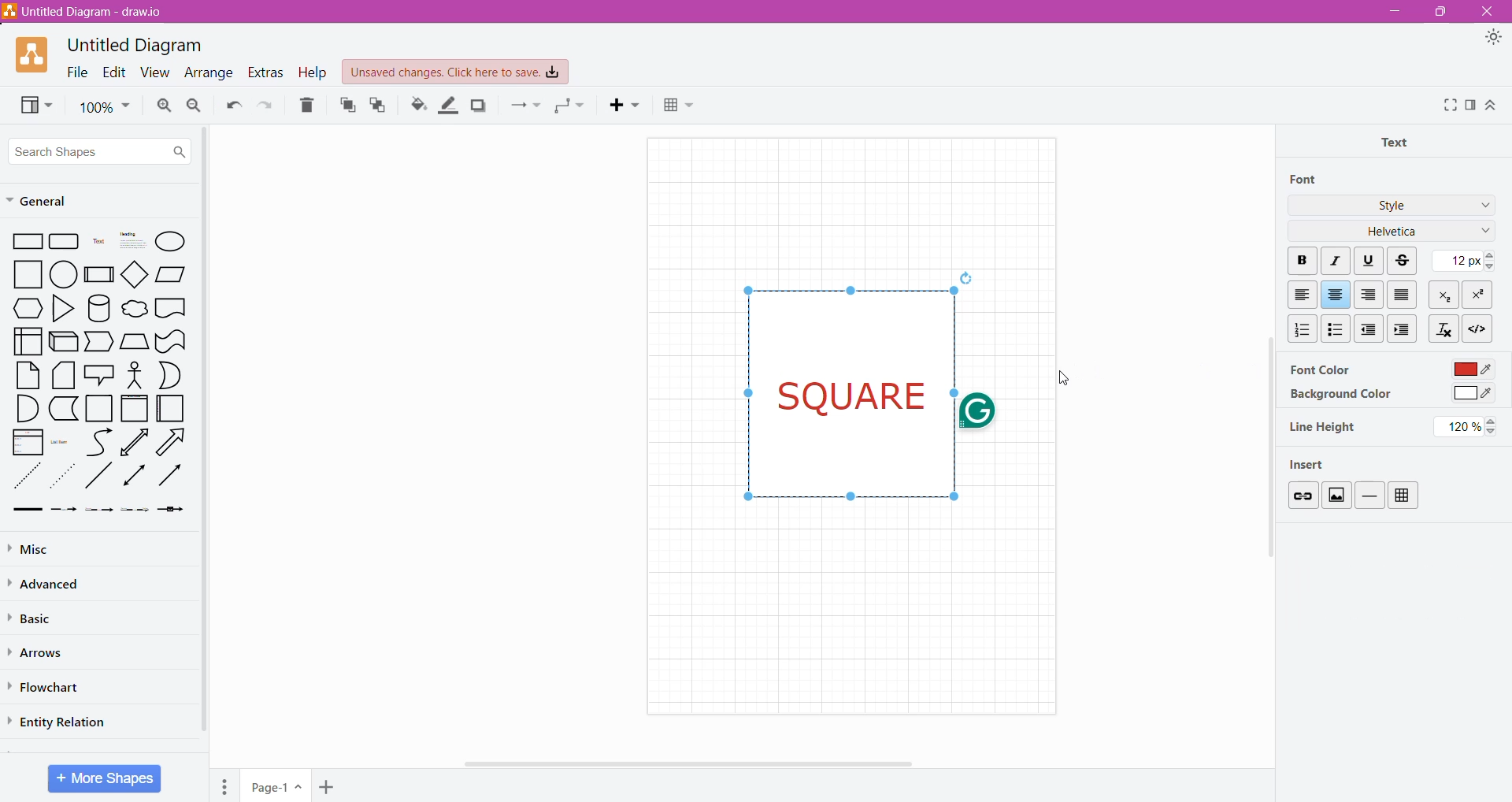  I want to click on Expand/Collapse, so click(1491, 105).